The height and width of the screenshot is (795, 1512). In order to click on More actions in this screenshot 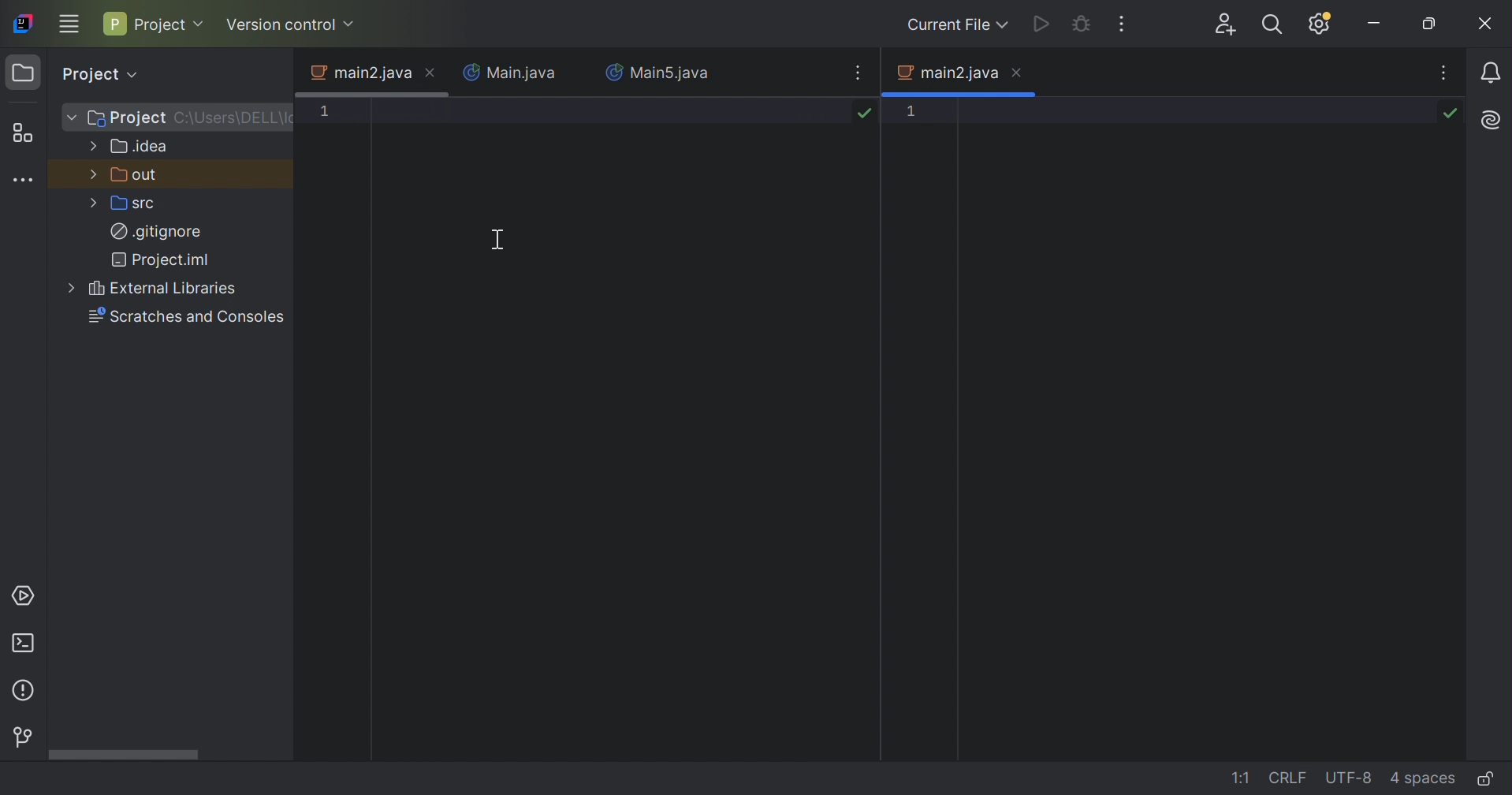, I will do `click(1121, 26)`.